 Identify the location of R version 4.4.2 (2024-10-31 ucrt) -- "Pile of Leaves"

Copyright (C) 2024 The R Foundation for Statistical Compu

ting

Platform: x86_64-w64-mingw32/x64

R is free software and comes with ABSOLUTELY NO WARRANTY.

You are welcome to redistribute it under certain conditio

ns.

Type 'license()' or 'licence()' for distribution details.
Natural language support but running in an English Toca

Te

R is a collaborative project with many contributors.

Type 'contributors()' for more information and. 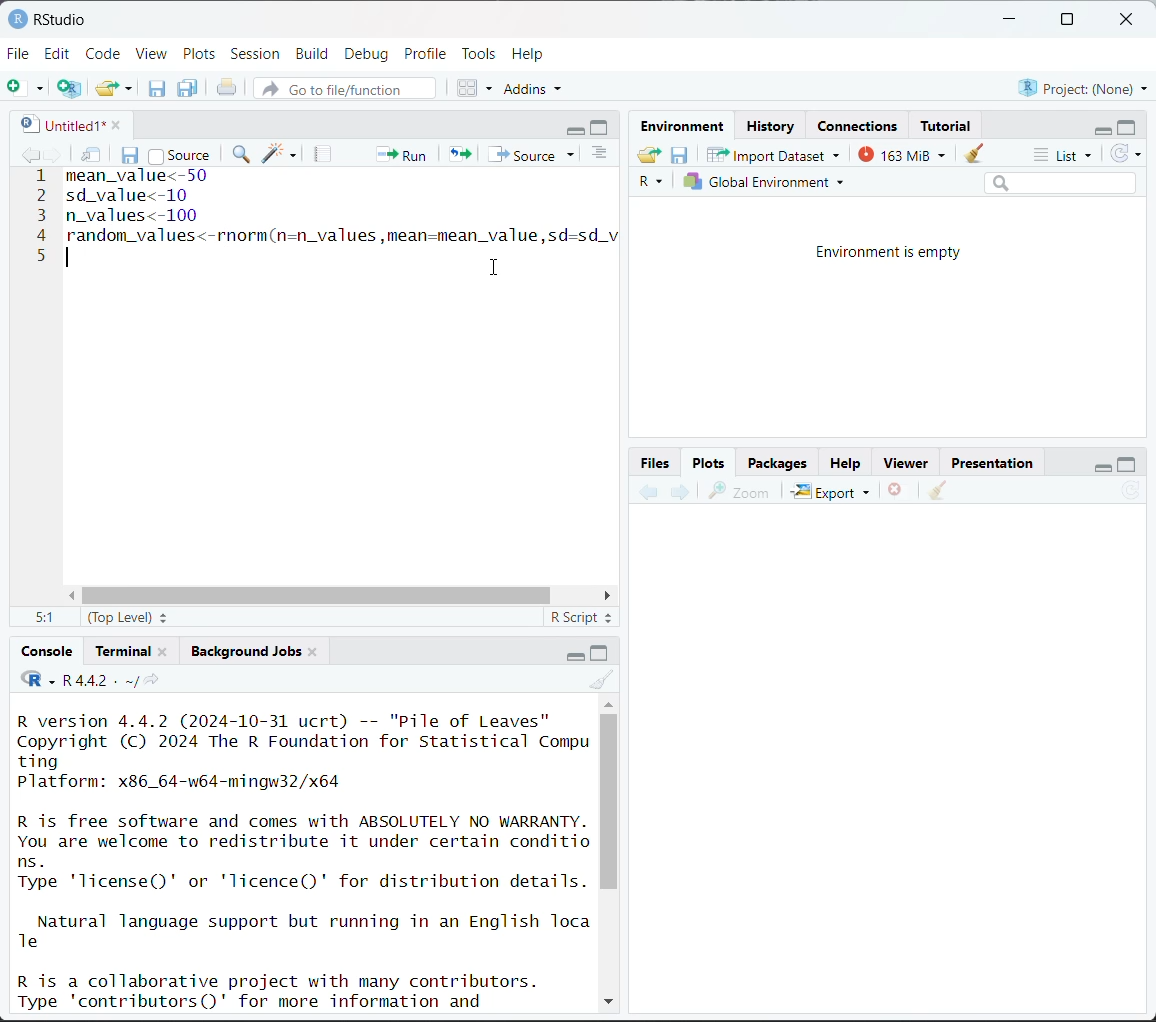
(305, 859).